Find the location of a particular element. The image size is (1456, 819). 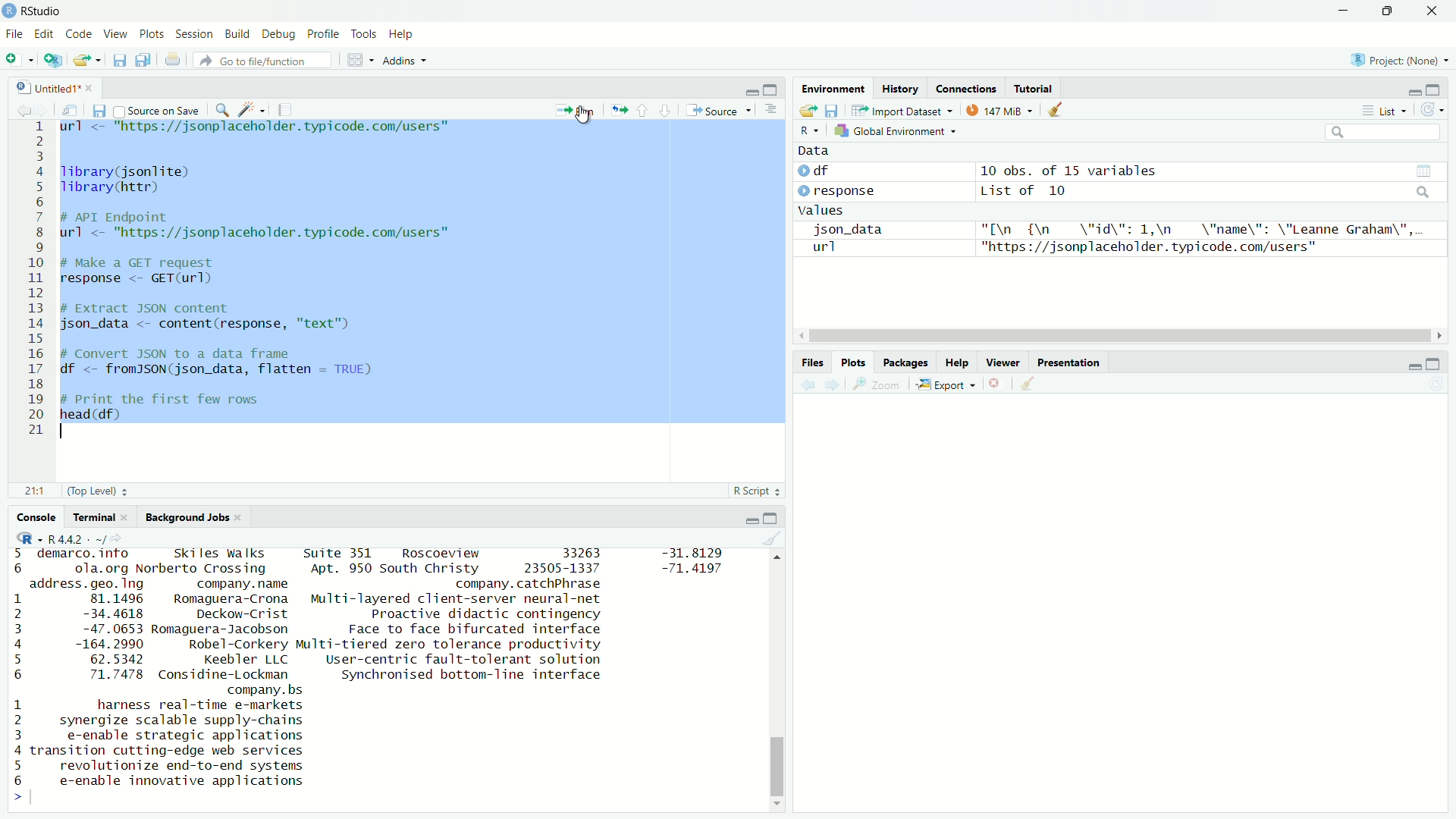

Chart is located at coordinates (1425, 171).